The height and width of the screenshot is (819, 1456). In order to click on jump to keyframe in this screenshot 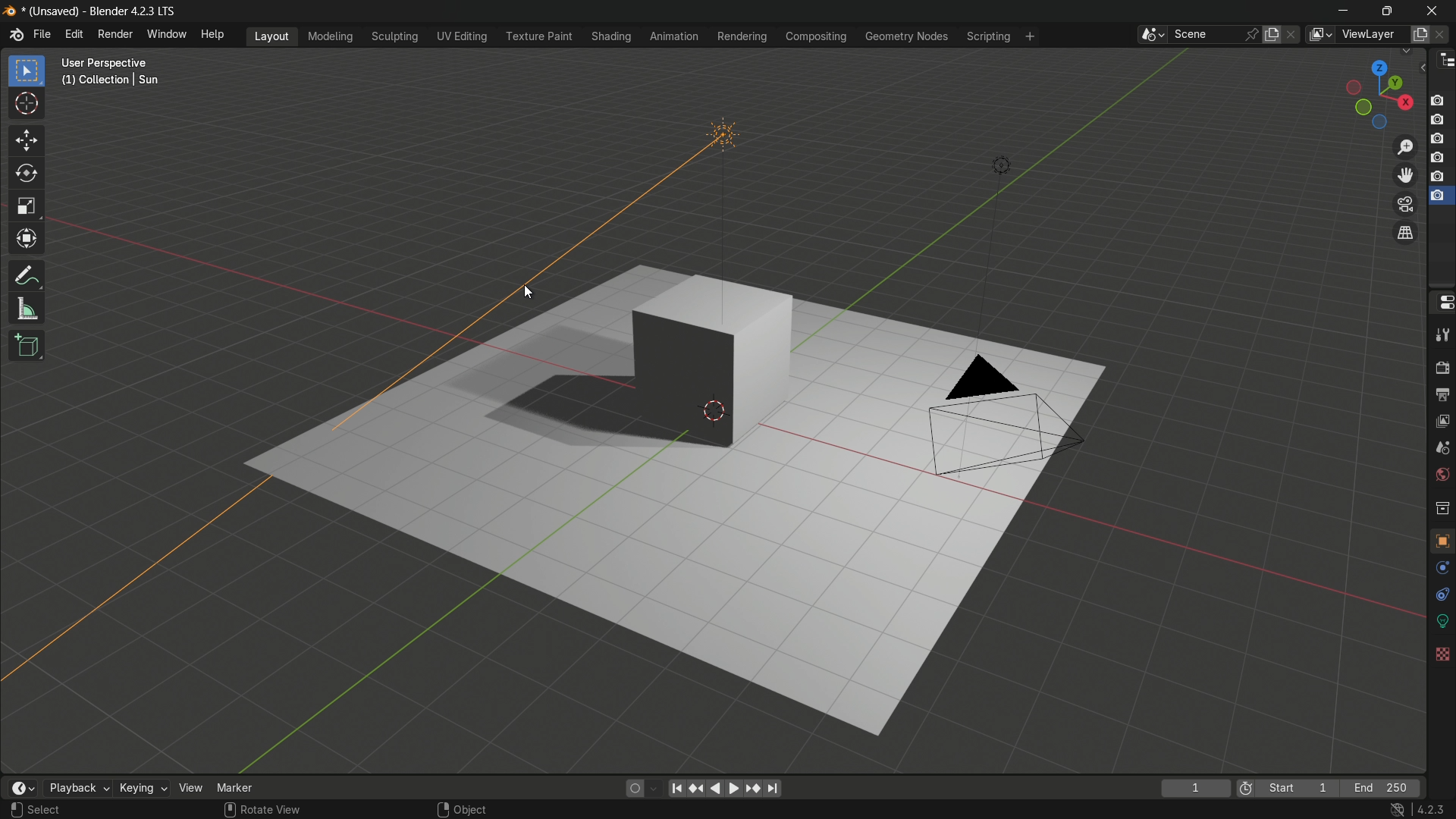, I will do `click(698, 790)`.